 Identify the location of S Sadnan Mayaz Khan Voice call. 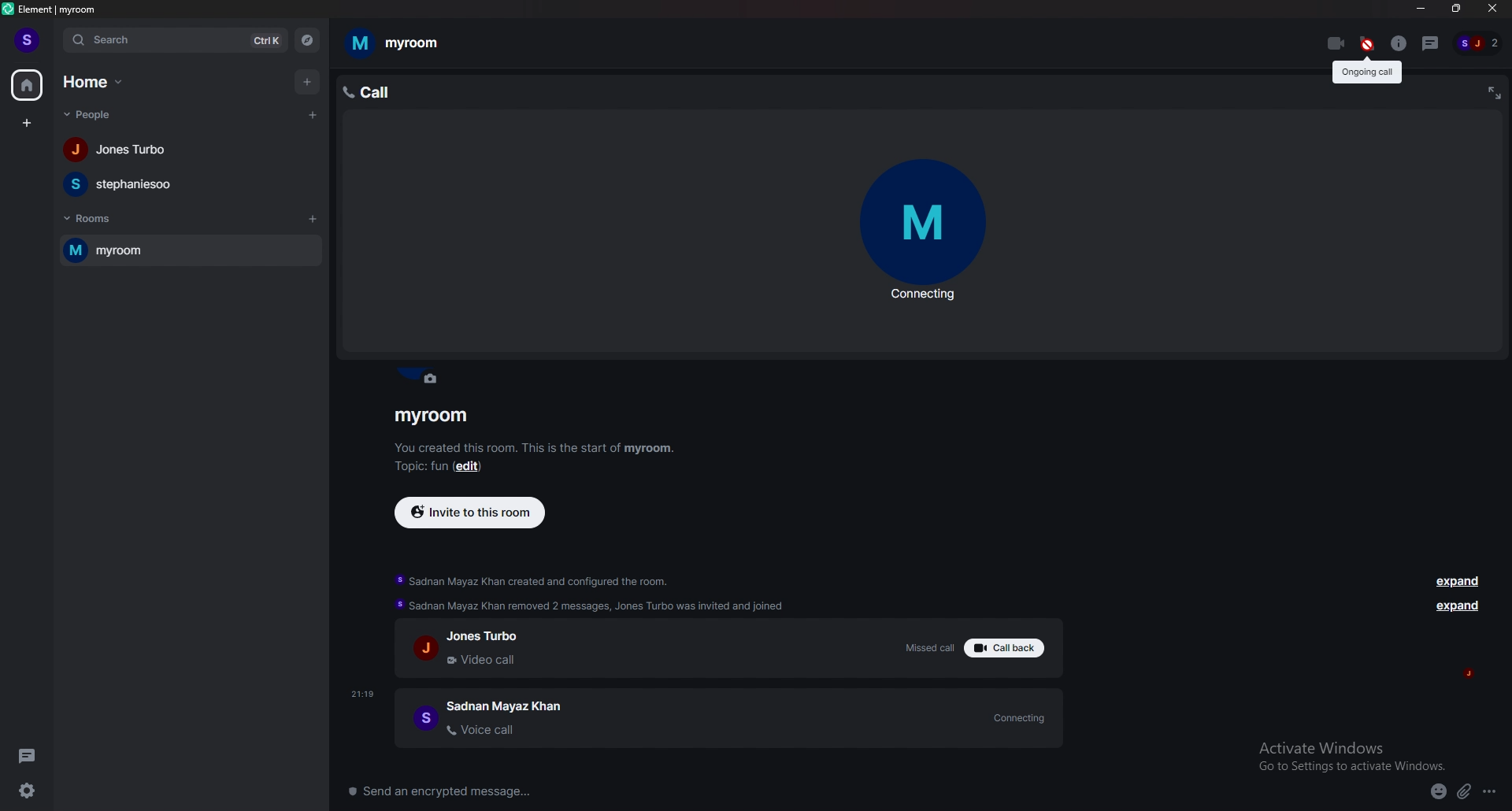
(487, 724).